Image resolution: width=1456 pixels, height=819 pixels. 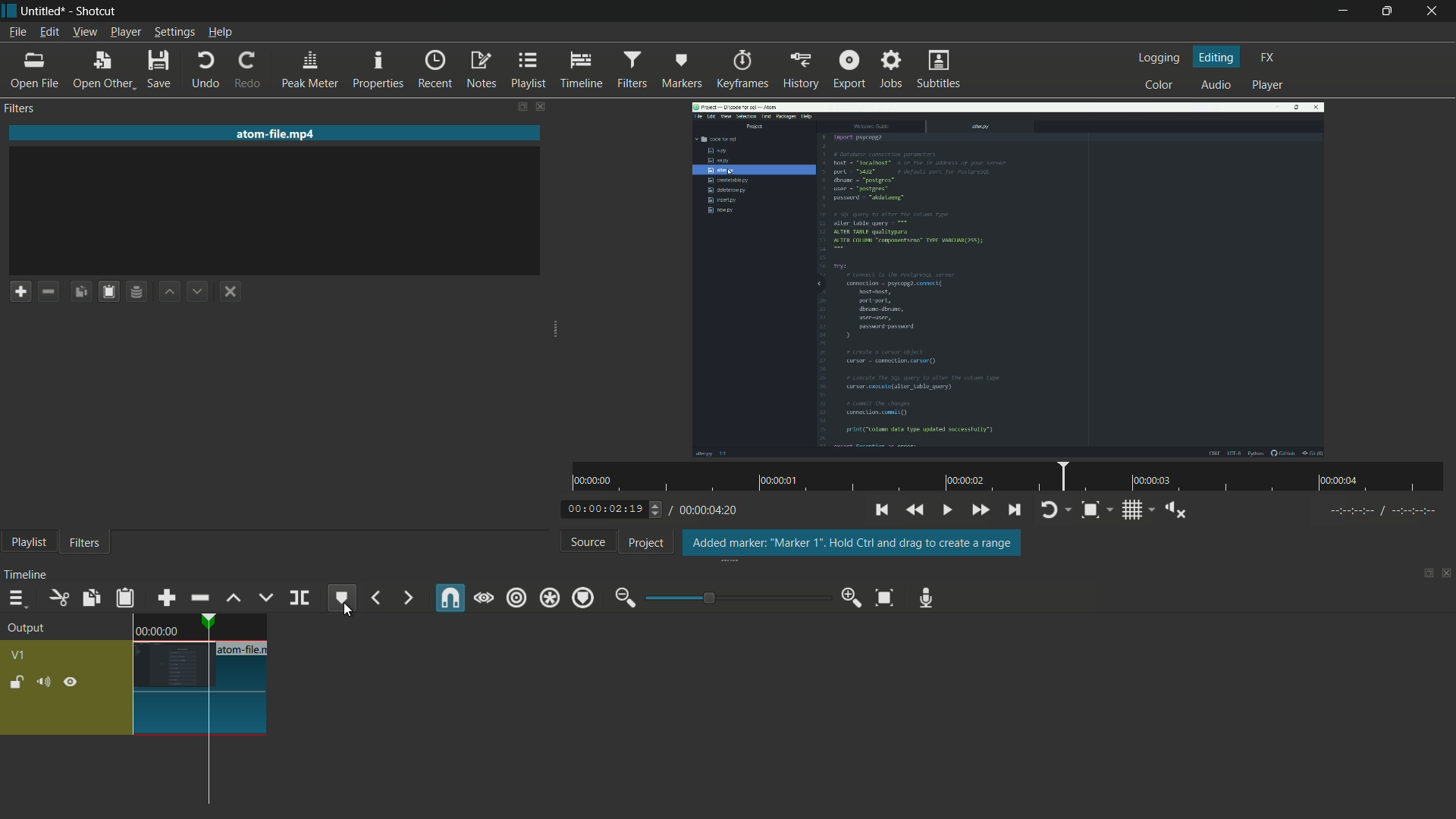 What do you see at coordinates (44, 11) in the screenshot?
I see `project name` at bounding box center [44, 11].